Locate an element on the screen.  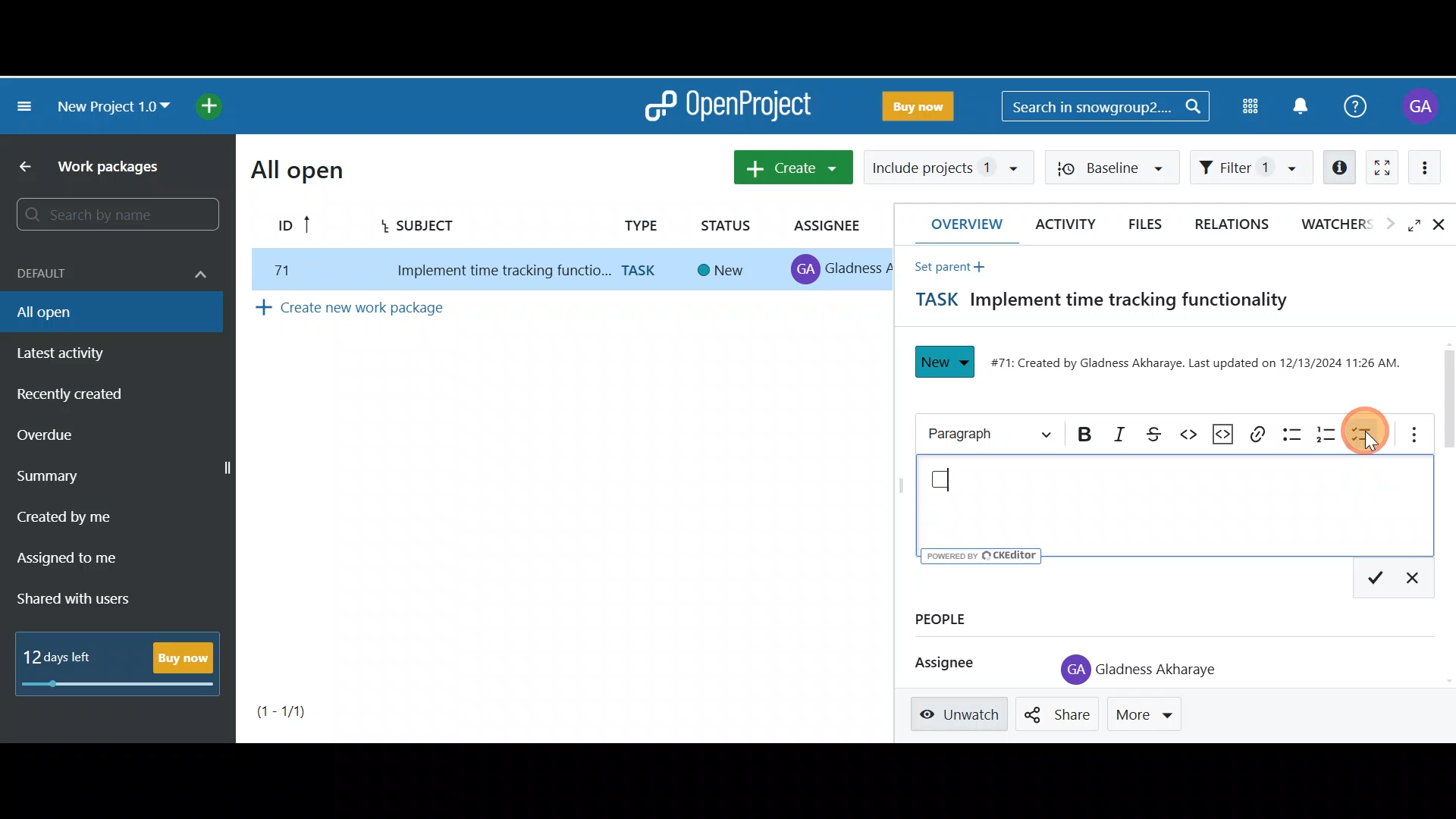
Buy now is located at coordinates (905, 108).